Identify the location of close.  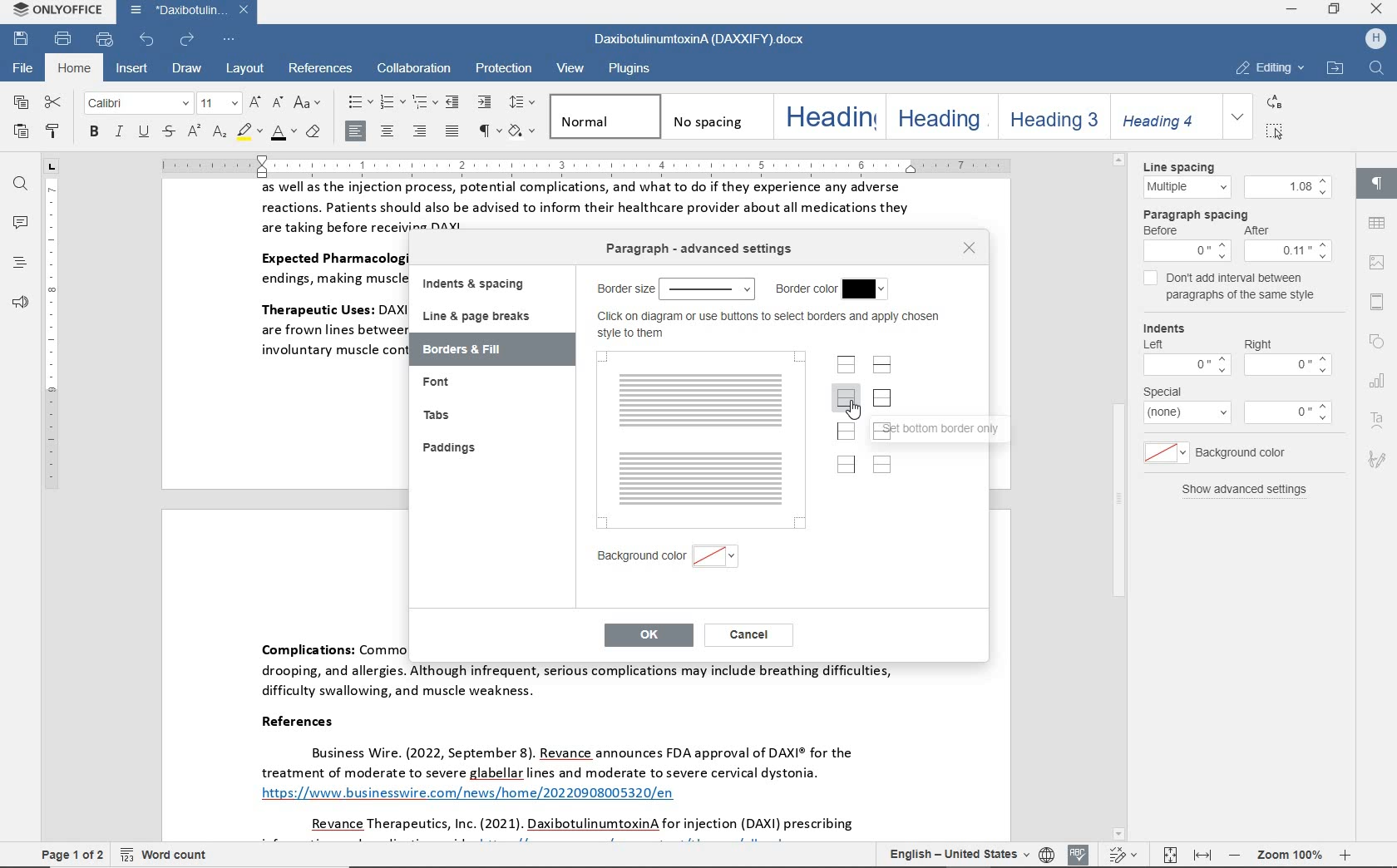
(1378, 9).